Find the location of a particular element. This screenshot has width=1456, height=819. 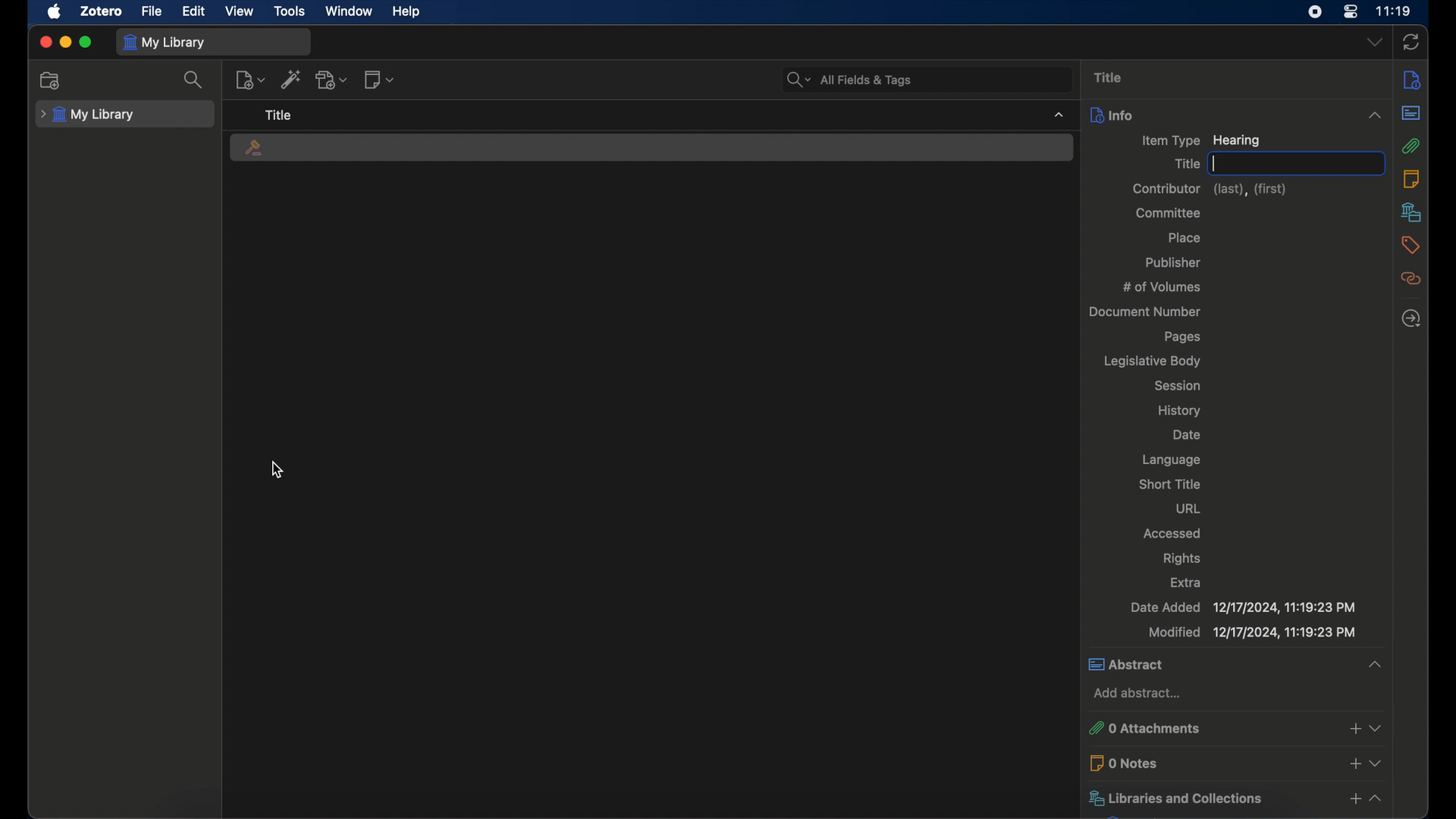

contributor is located at coordinates (1212, 190).